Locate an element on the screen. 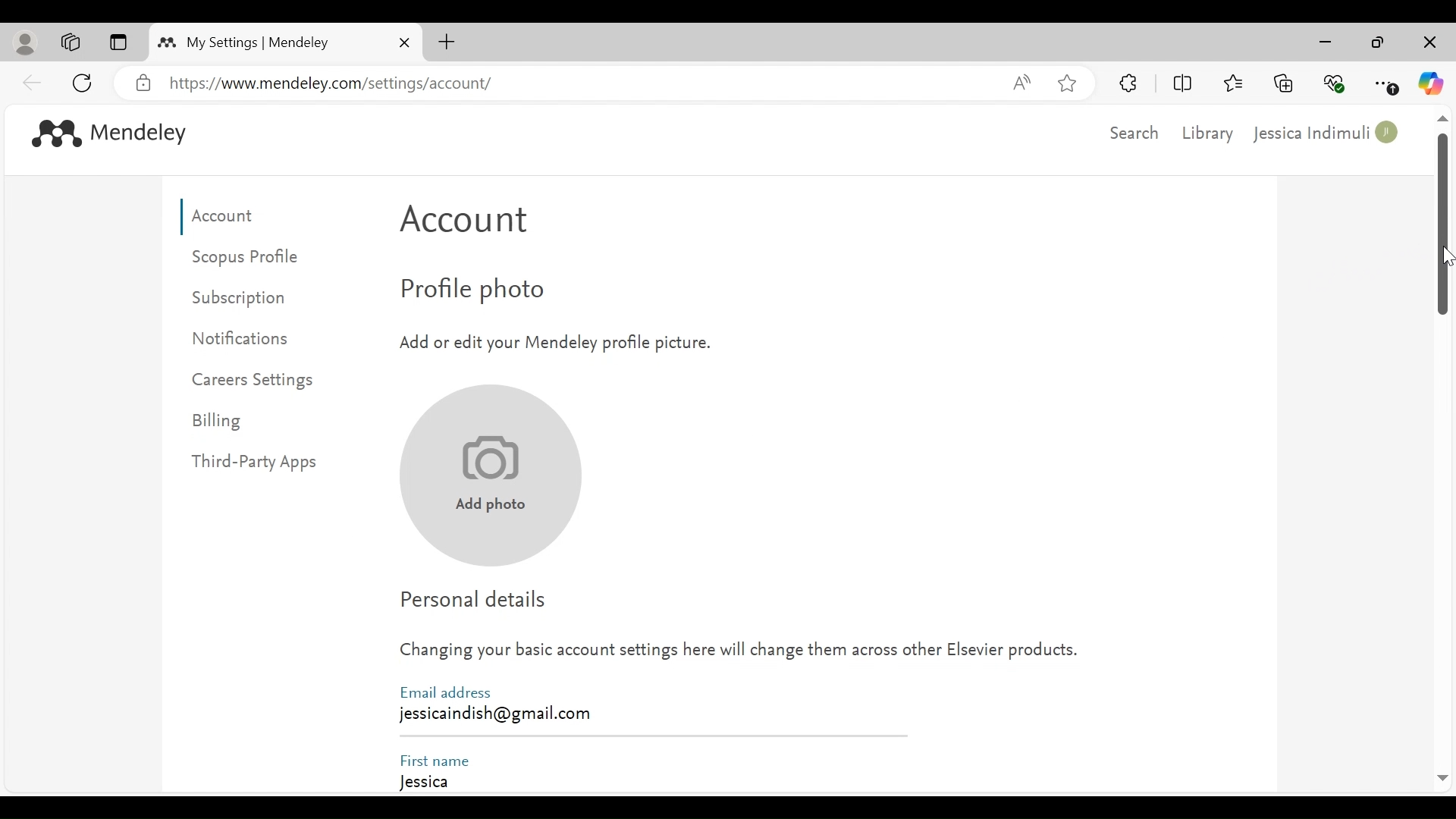 This screenshot has height=819, width=1456. Tab Actions Menu is located at coordinates (118, 43).